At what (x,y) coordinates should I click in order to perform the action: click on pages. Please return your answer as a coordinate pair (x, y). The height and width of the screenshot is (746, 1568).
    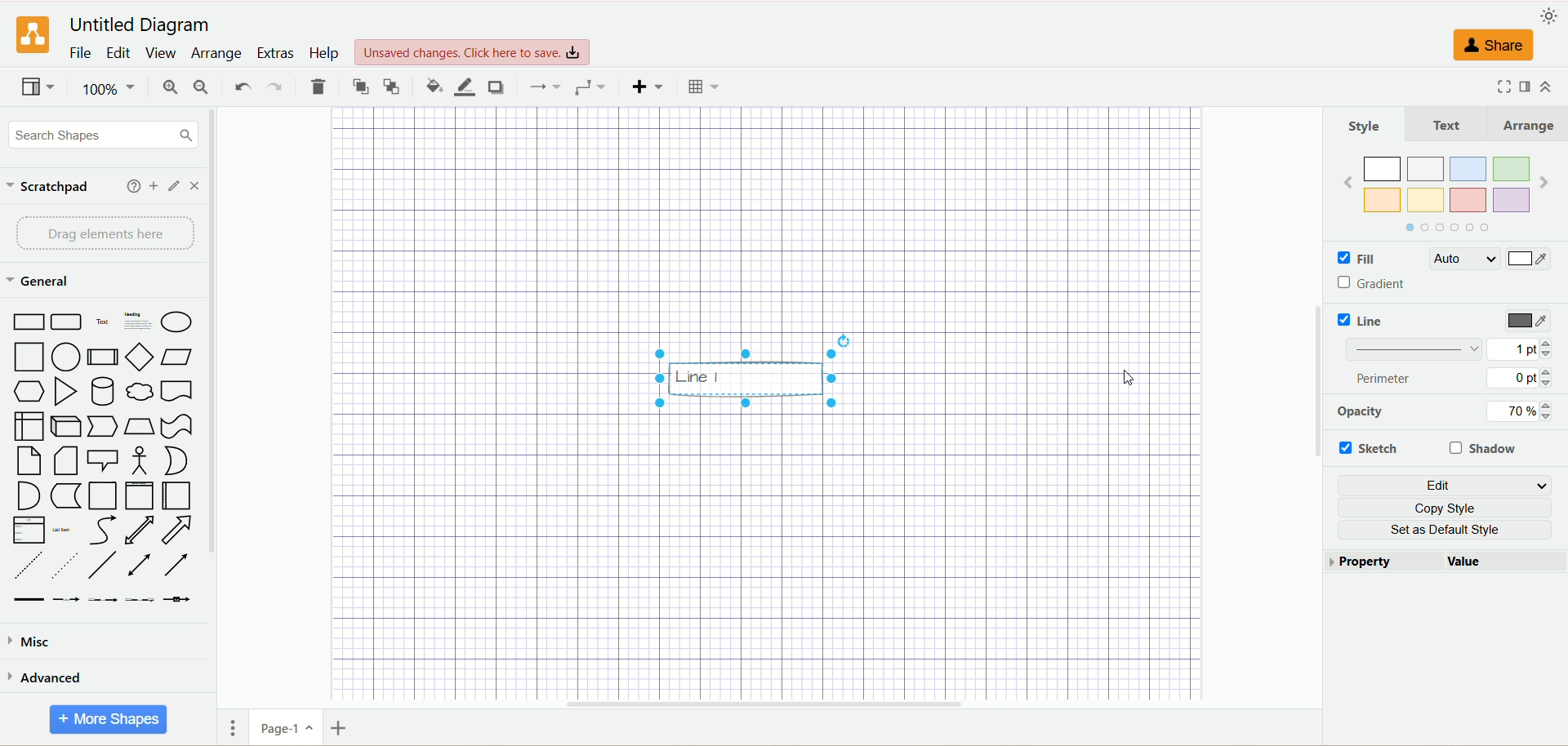
    Looking at the image, I should click on (229, 730).